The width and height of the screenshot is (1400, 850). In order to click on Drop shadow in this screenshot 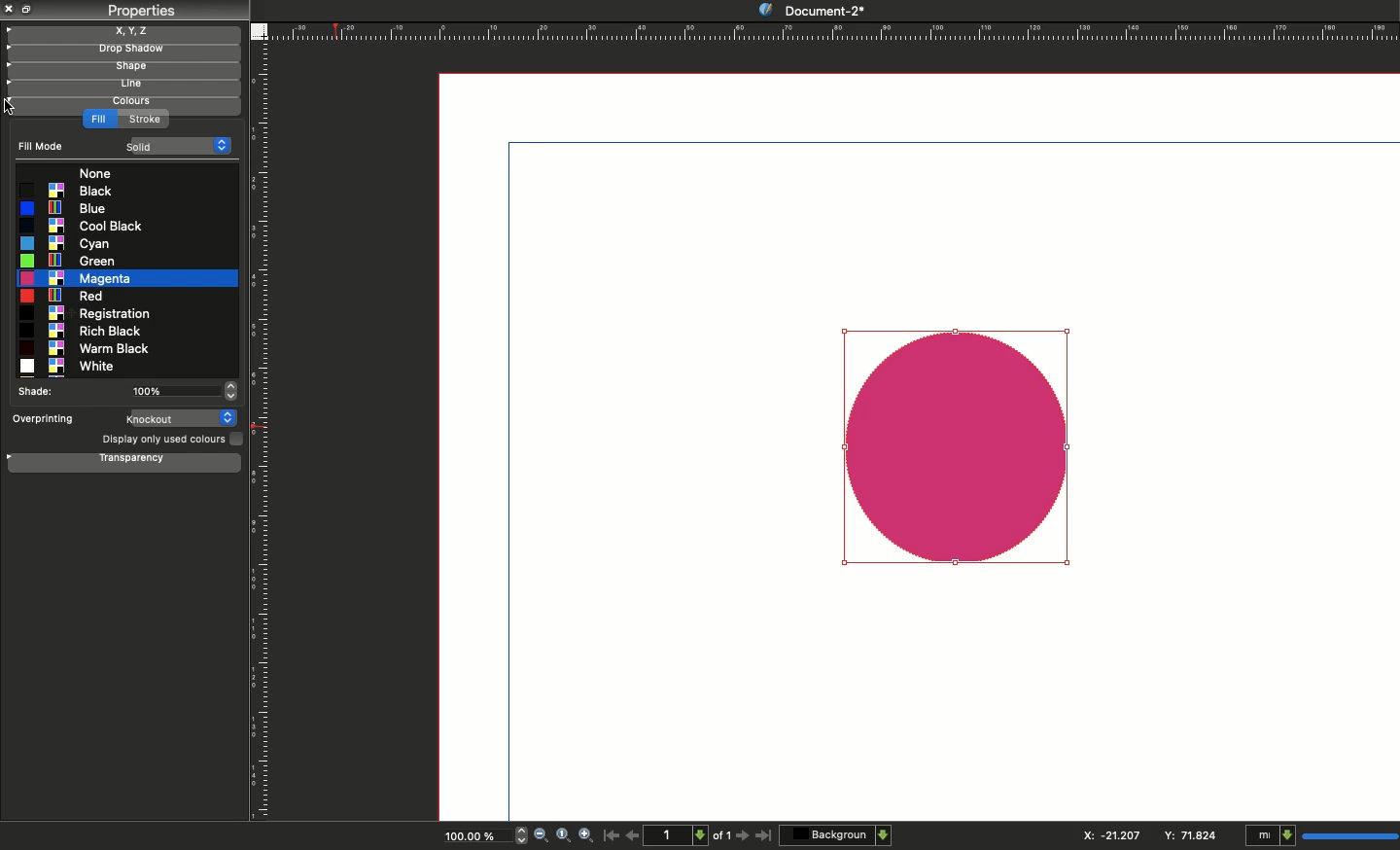, I will do `click(121, 51)`.